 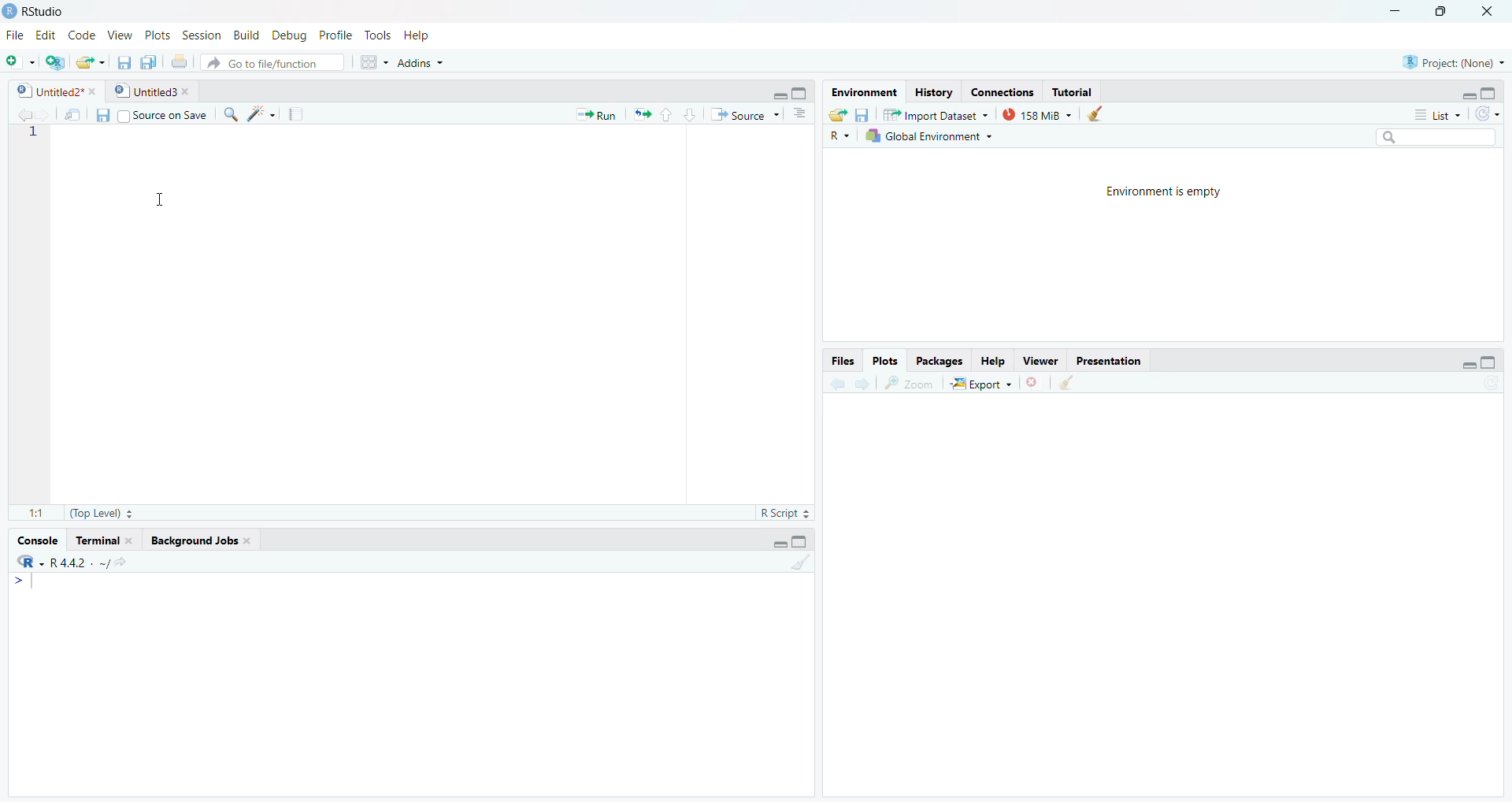 I want to click on Choose language, so click(x=840, y=135).